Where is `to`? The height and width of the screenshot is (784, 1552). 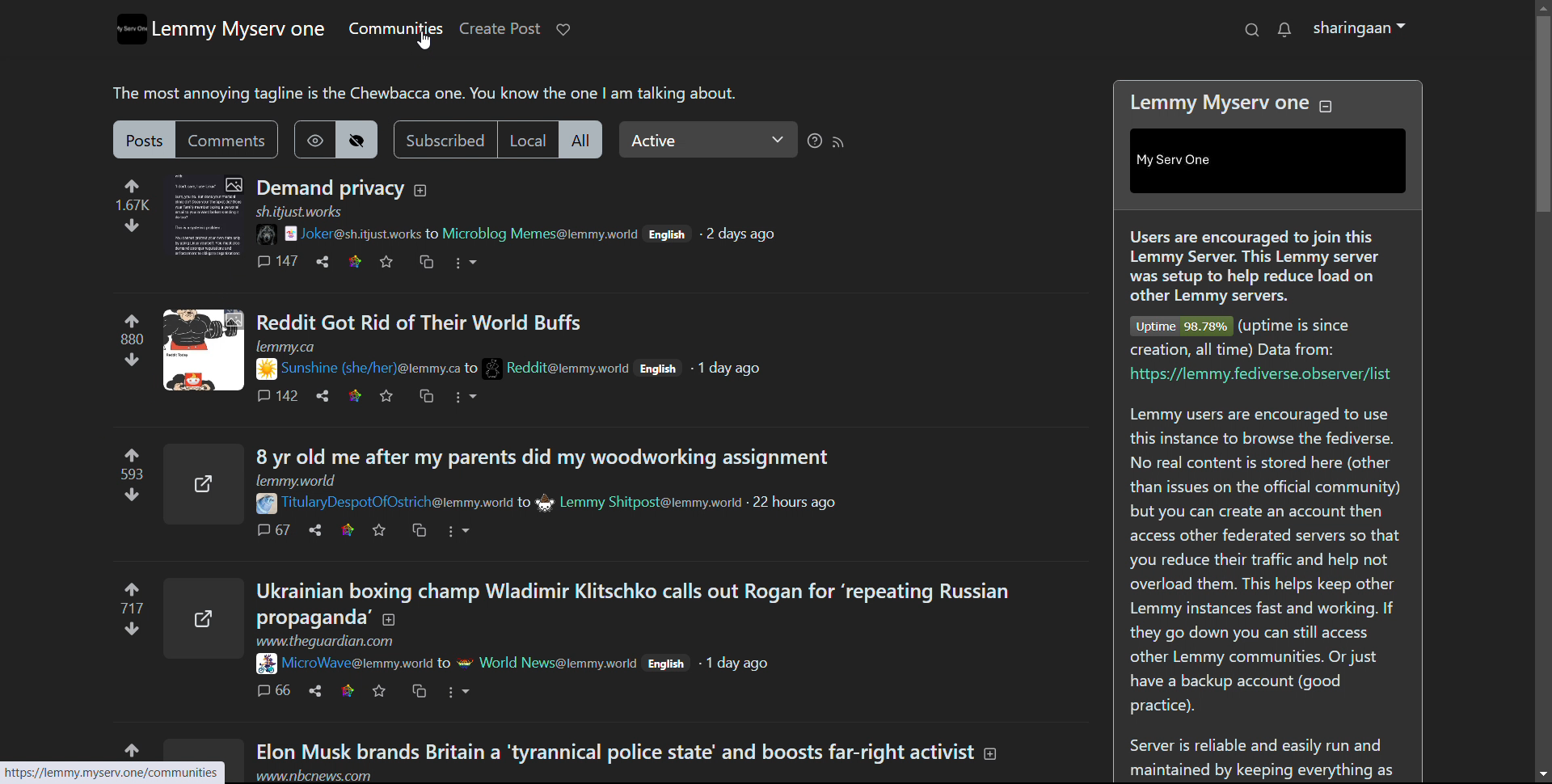 to is located at coordinates (474, 366).